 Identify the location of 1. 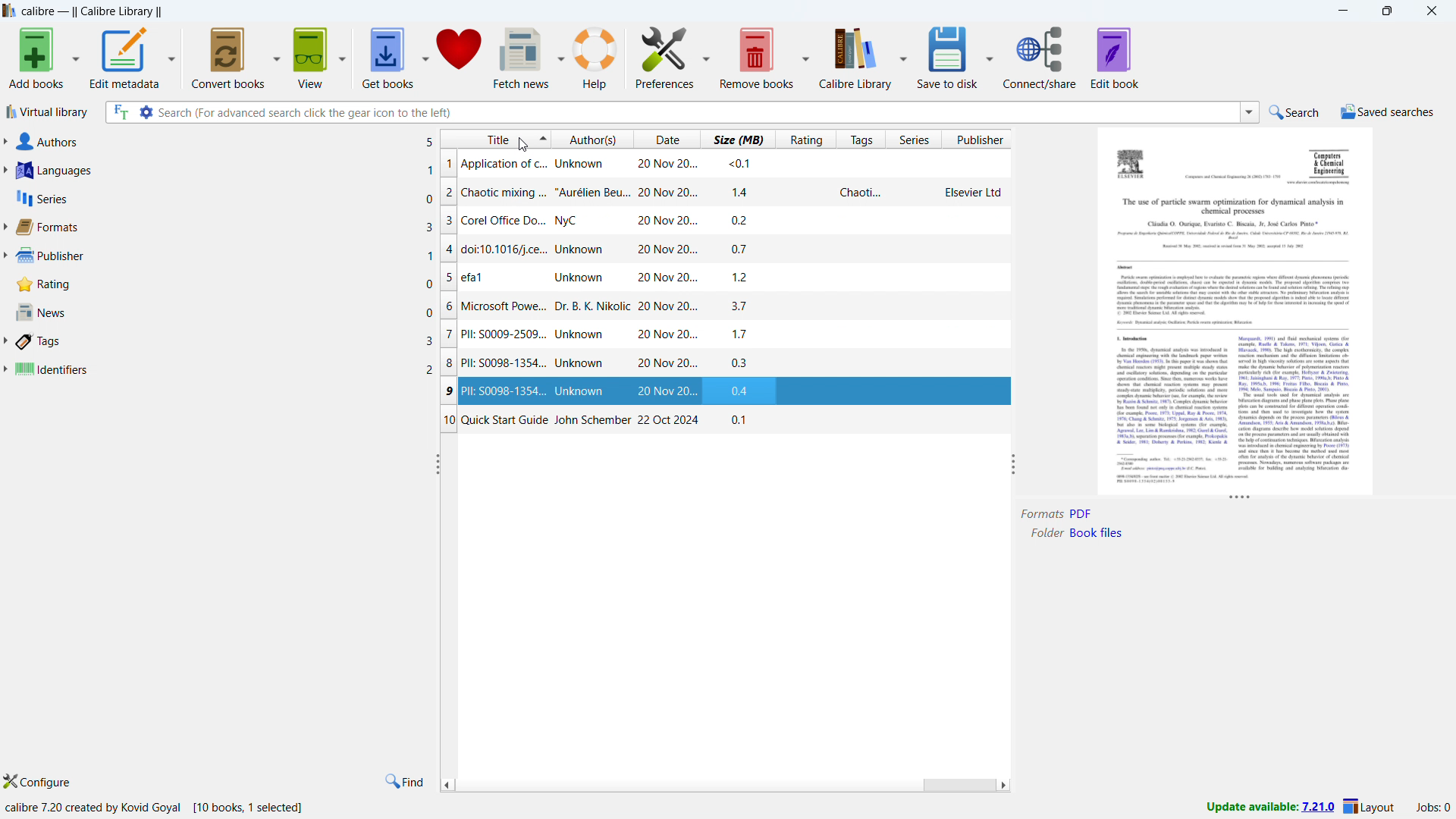
(449, 165).